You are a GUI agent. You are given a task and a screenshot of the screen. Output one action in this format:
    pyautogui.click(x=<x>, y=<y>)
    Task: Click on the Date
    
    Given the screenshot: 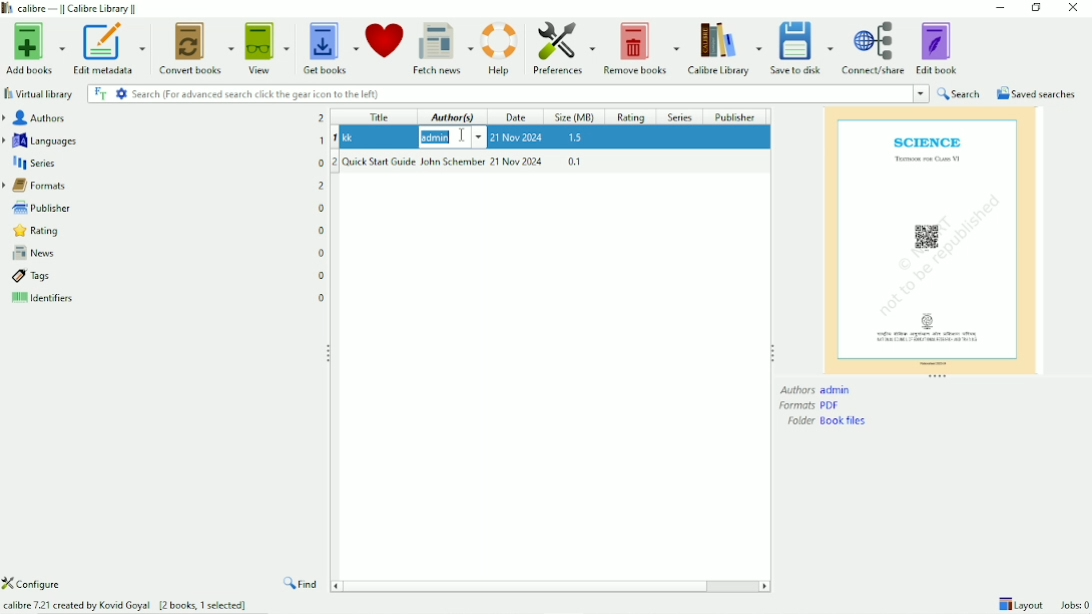 What is the action you would take?
    pyautogui.click(x=517, y=117)
    